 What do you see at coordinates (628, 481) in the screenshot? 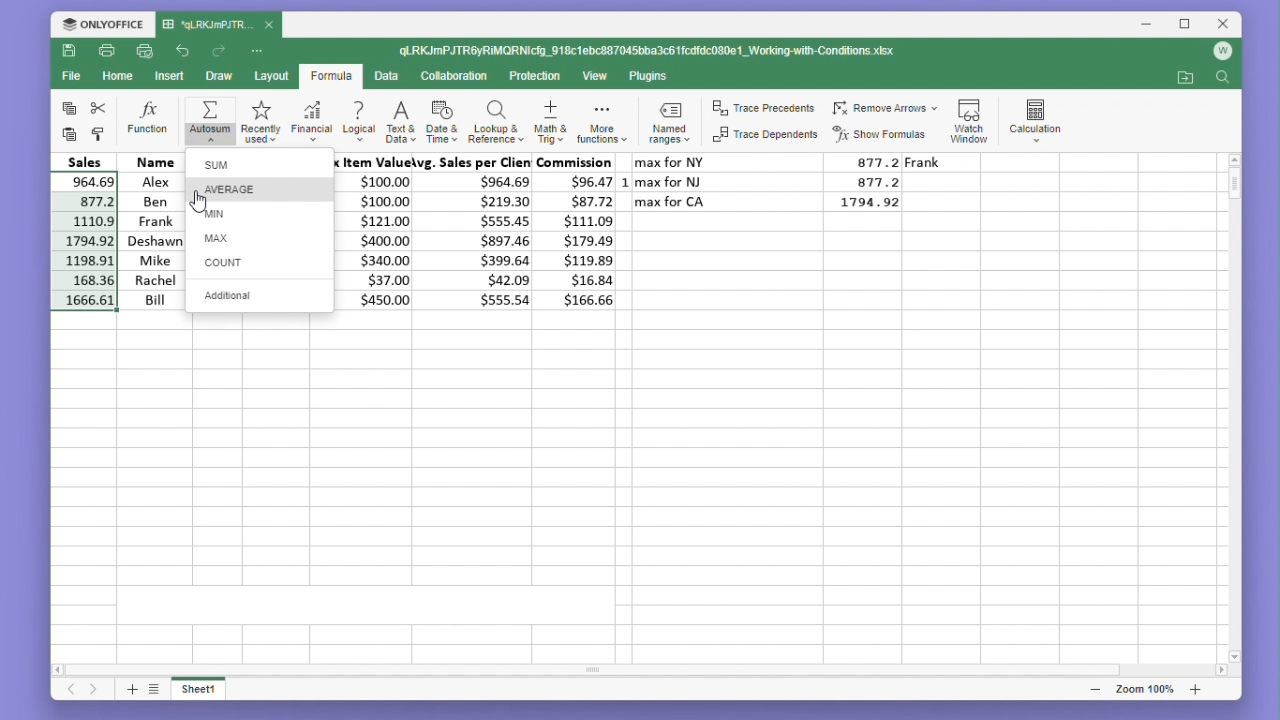
I see `Empty cells` at bounding box center [628, 481].